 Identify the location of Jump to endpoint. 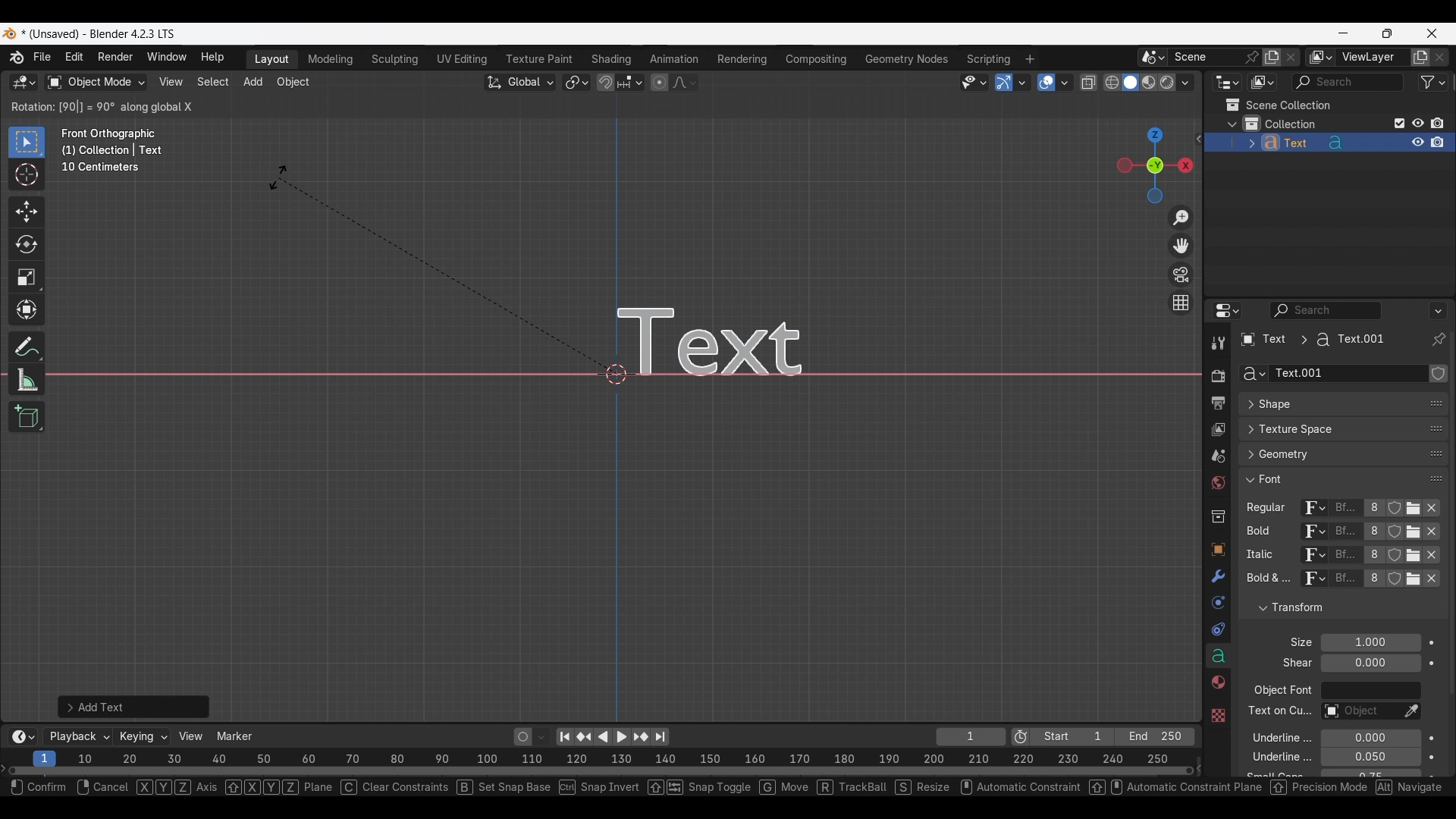
(565, 737).